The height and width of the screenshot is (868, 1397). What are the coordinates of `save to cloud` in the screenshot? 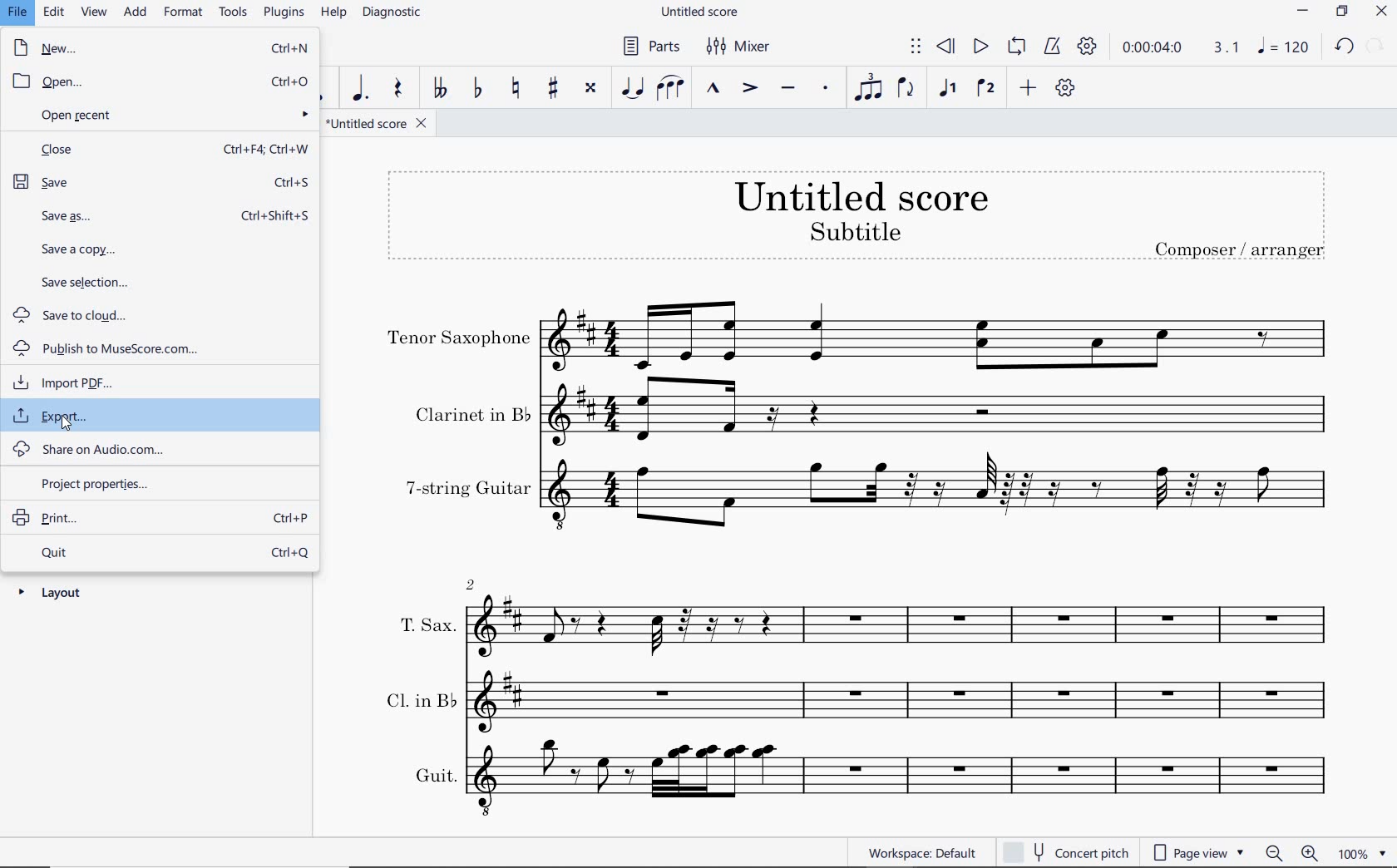 It's located at (158, 315).